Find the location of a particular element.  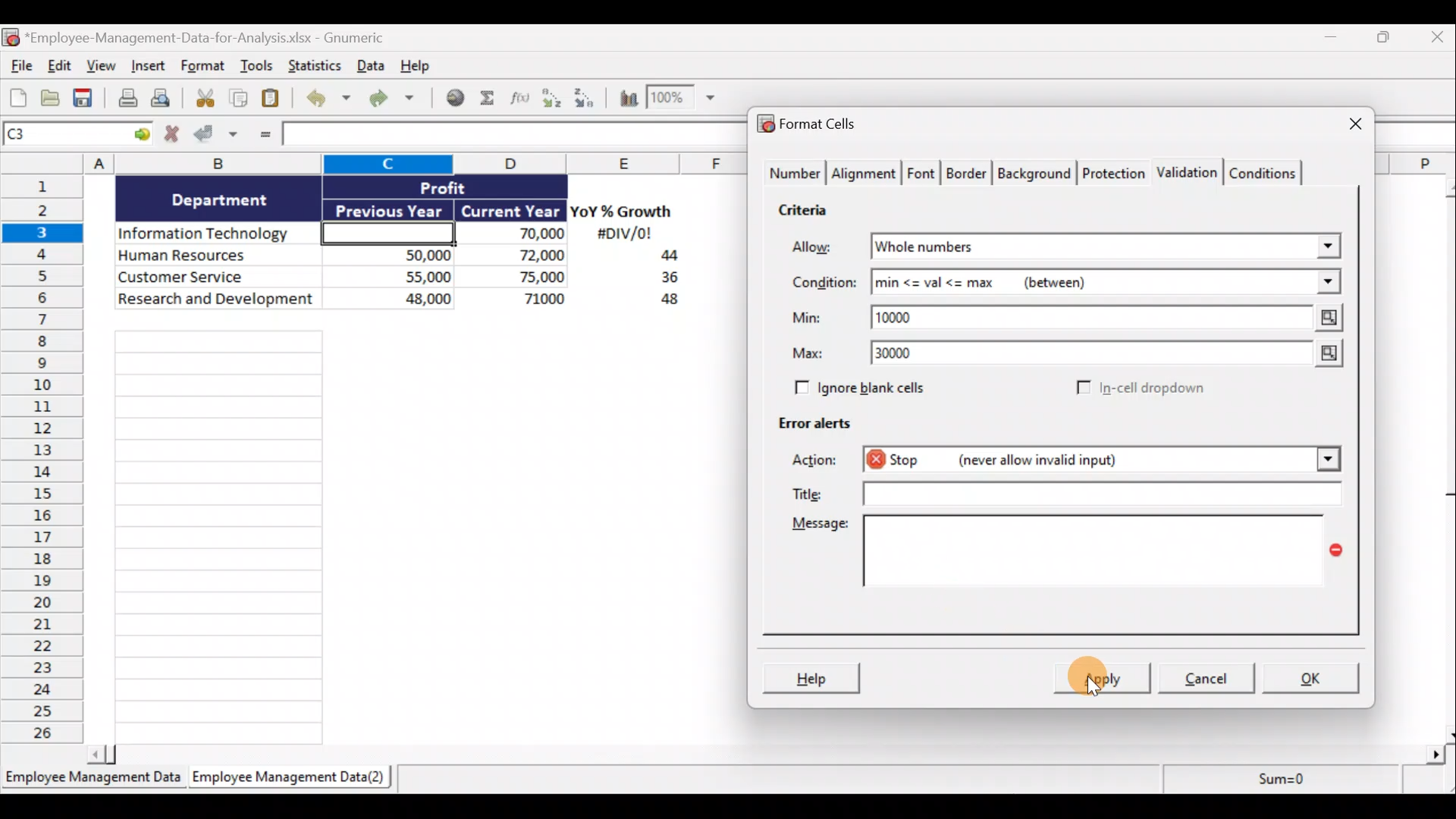

Format is located at coordinates (203, 68).